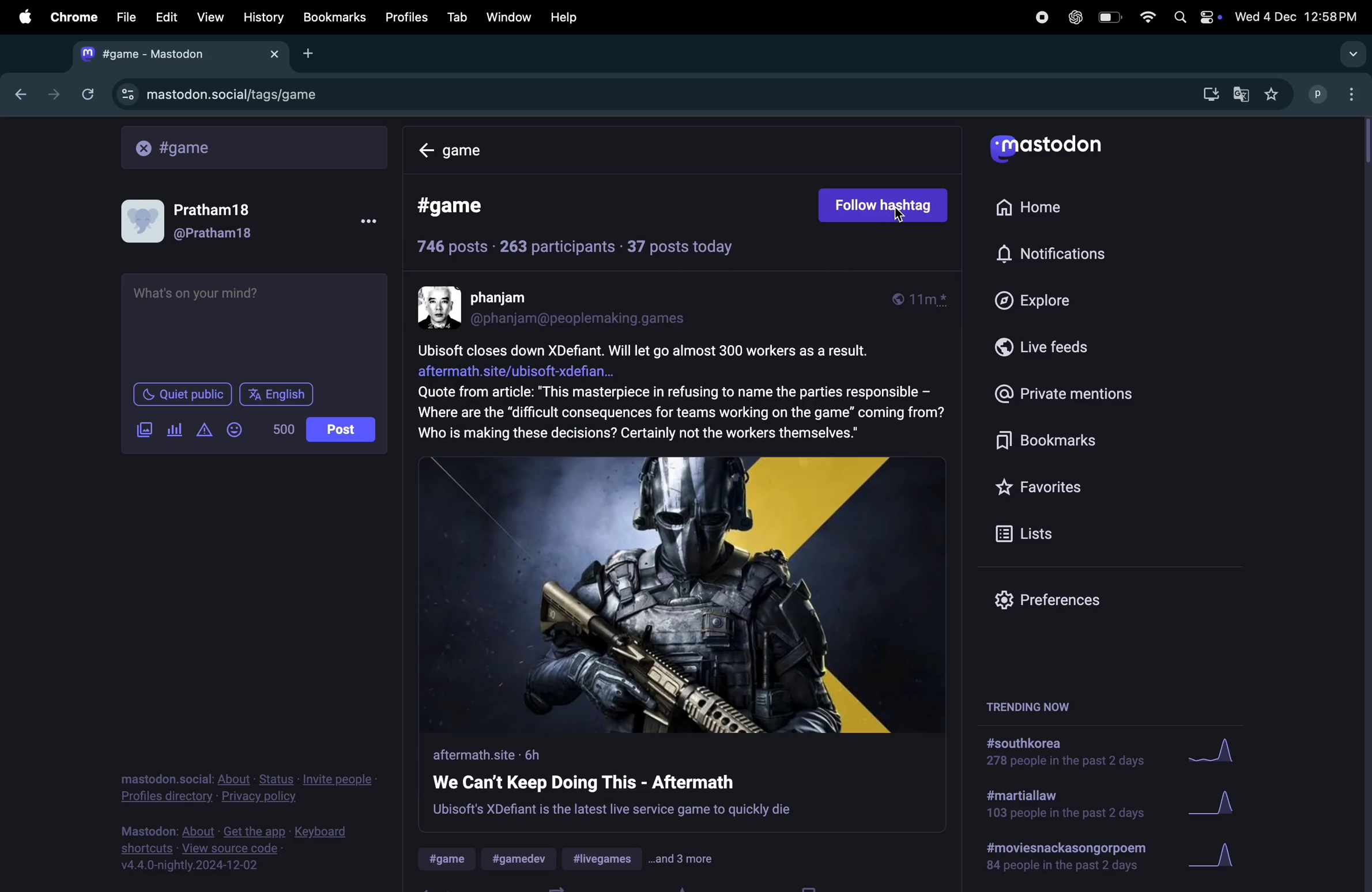 Image resolution: width=1372 pixels, height=892 pixels. What do you see at coordinates (604, 860) in the screenshot?
I see `#live games` at bounding box center [604, 860].